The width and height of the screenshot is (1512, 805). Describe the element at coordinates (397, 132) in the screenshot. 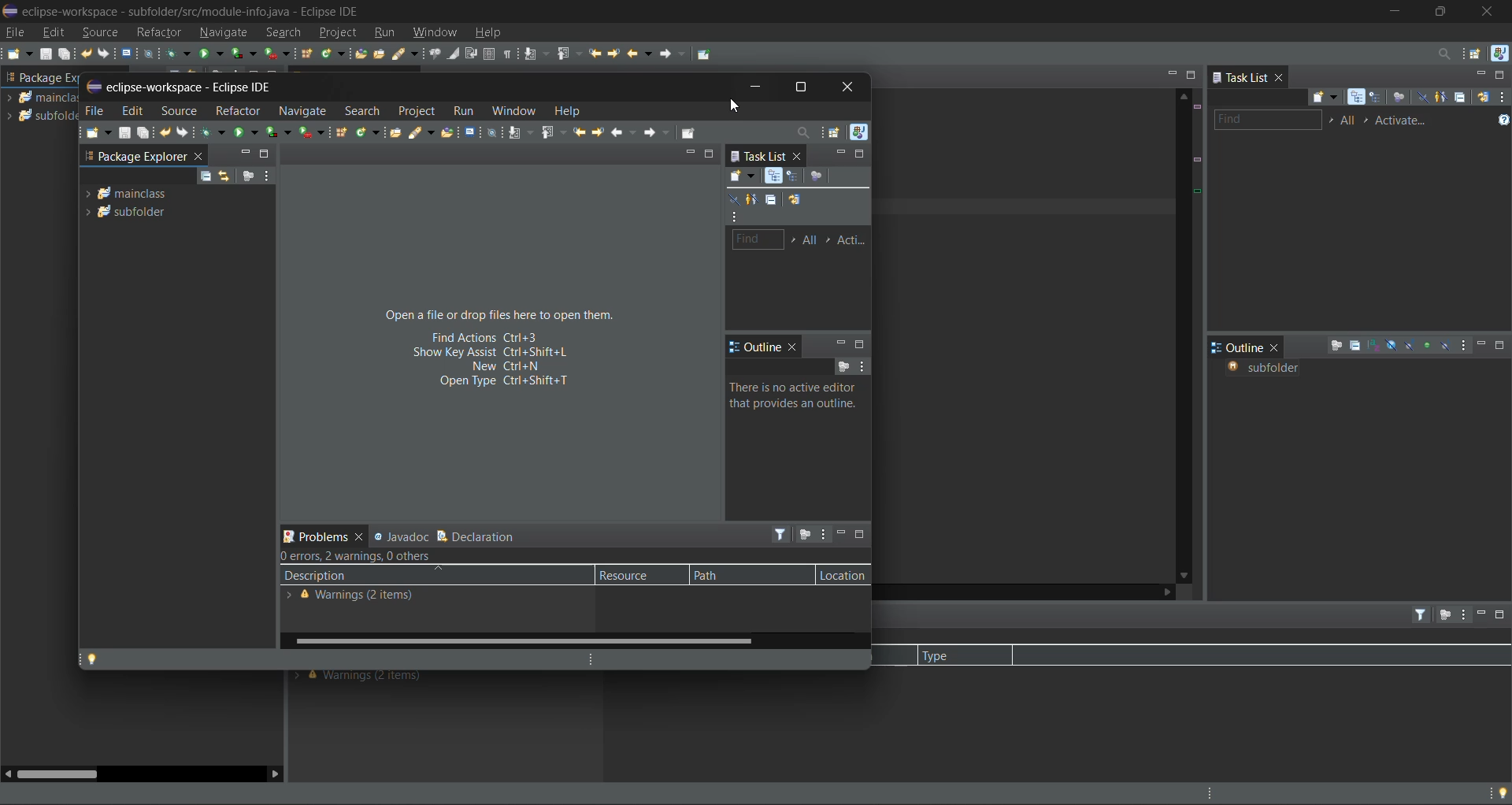

I see `open task` at that location.